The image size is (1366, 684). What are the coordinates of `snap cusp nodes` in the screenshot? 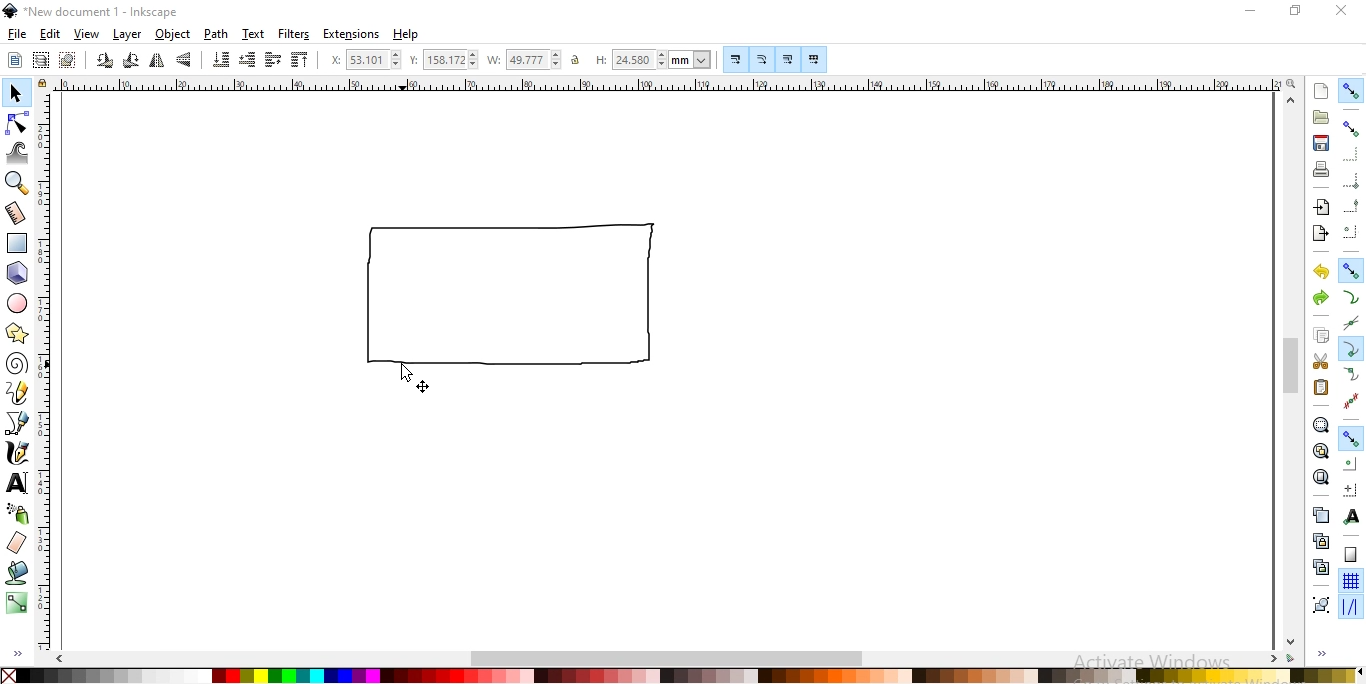 It's located at (1350, 348).